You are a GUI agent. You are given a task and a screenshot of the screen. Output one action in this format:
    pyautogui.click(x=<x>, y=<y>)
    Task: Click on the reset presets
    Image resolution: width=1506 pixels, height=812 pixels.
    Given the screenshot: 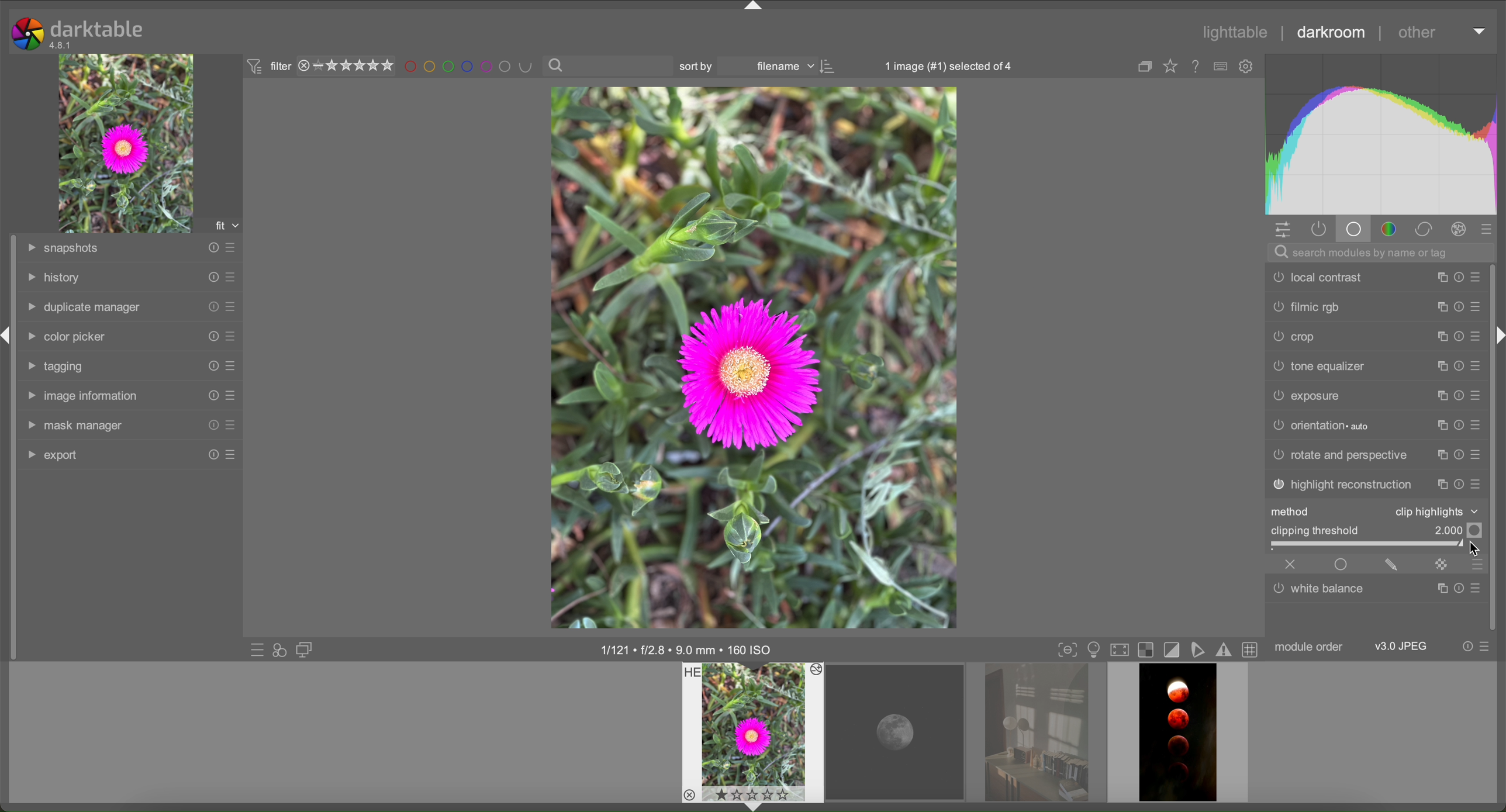 What is the action you would take?
    pyautogui.click(x=210, y=334)
    